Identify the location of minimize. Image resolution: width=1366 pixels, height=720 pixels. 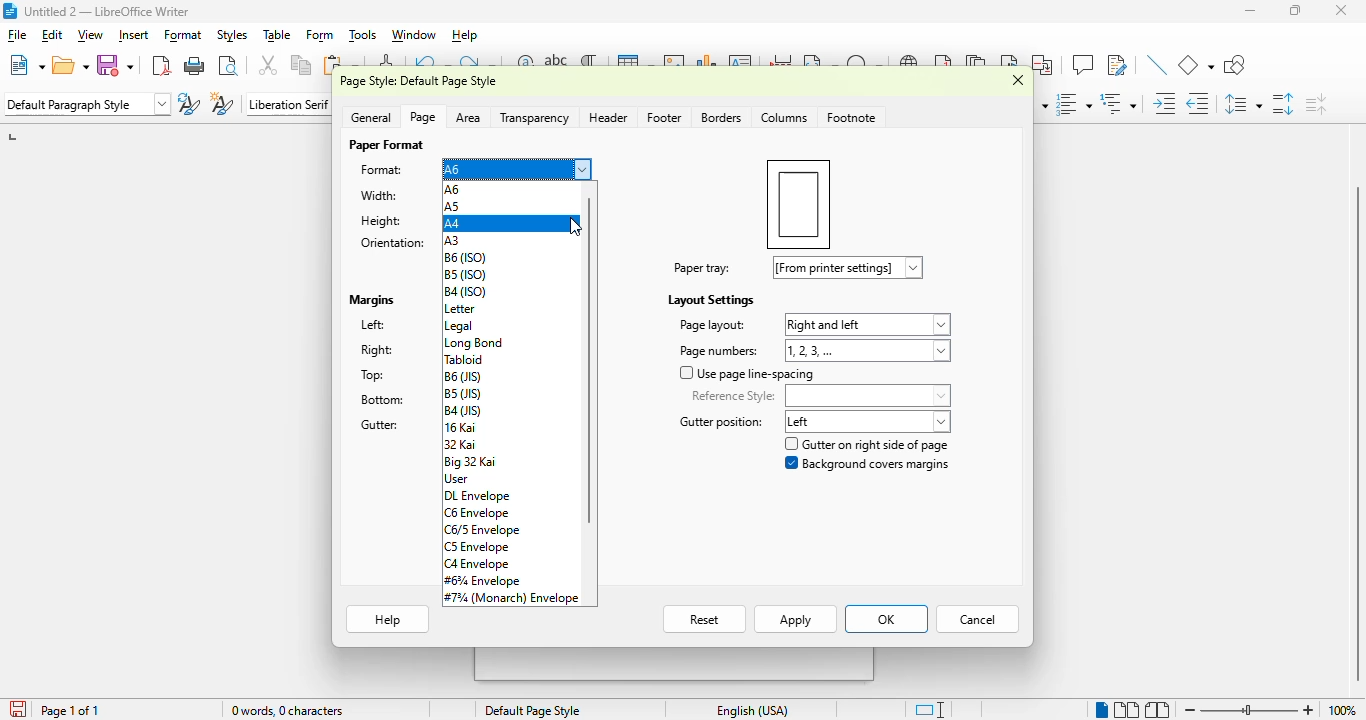
(1250, 10).